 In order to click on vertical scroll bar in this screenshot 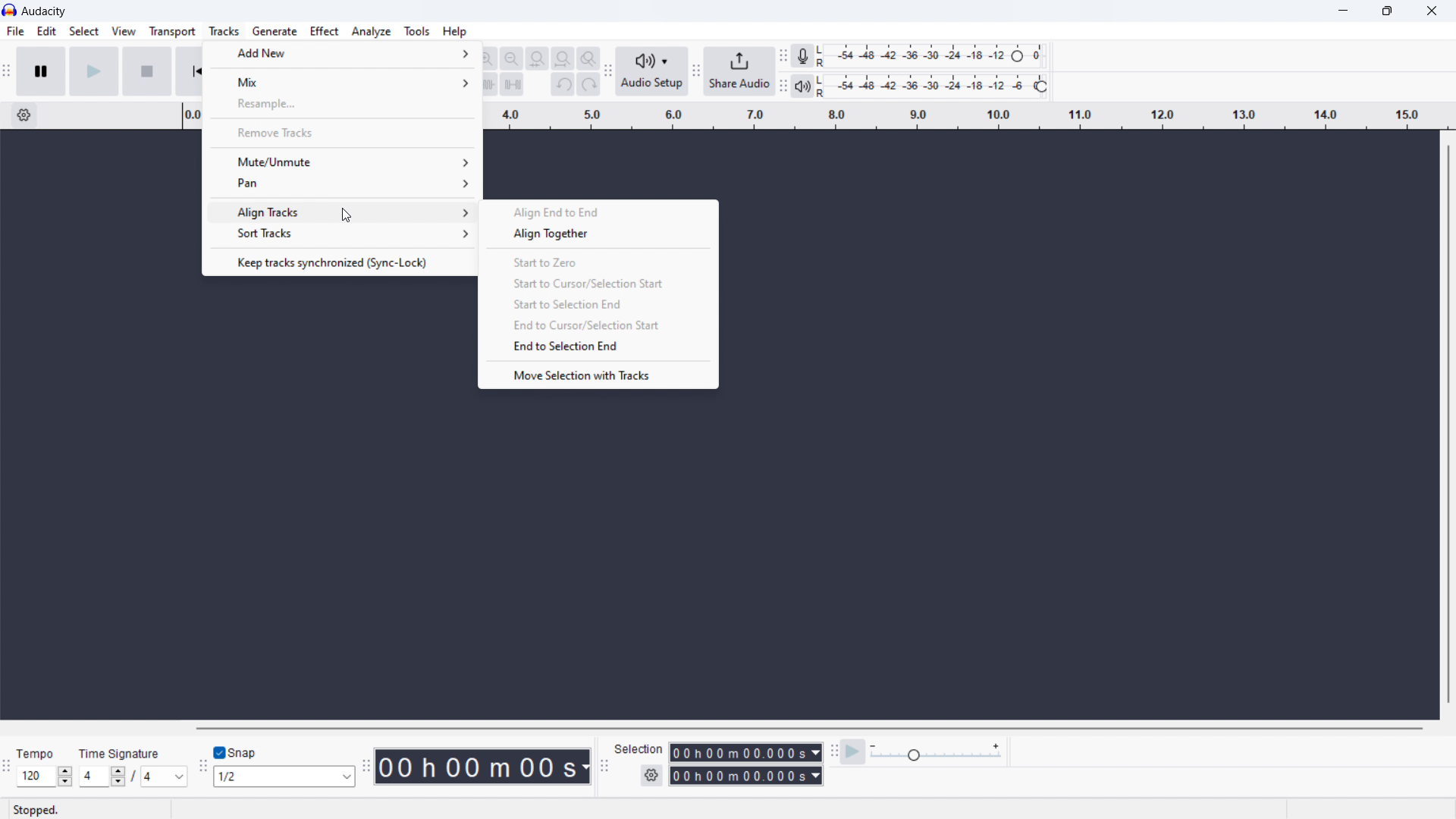, I will do `click(1444, 423)`.